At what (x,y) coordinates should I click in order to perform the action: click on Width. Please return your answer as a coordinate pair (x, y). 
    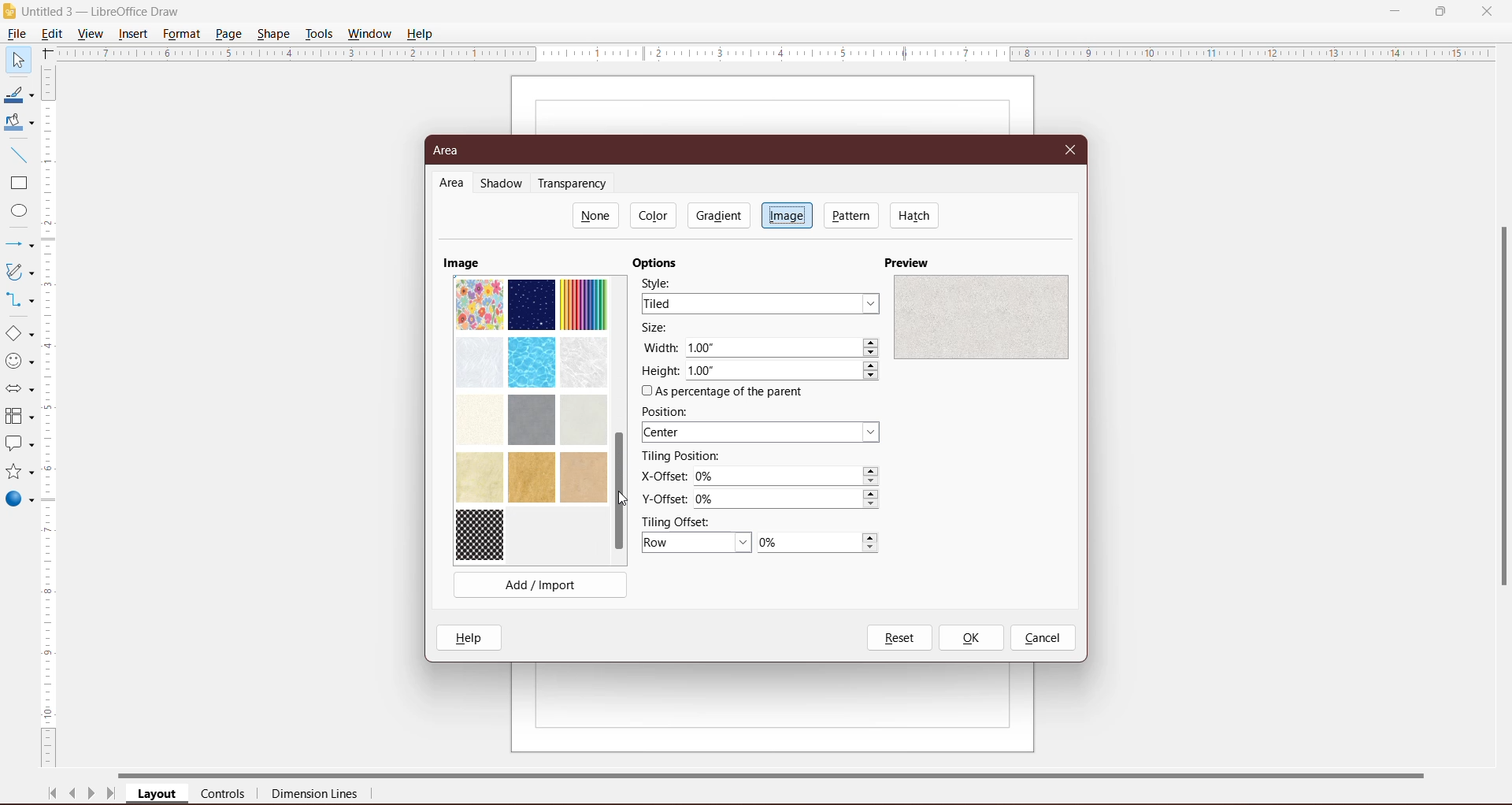
    Looking at the image, I should click on (660, 347).